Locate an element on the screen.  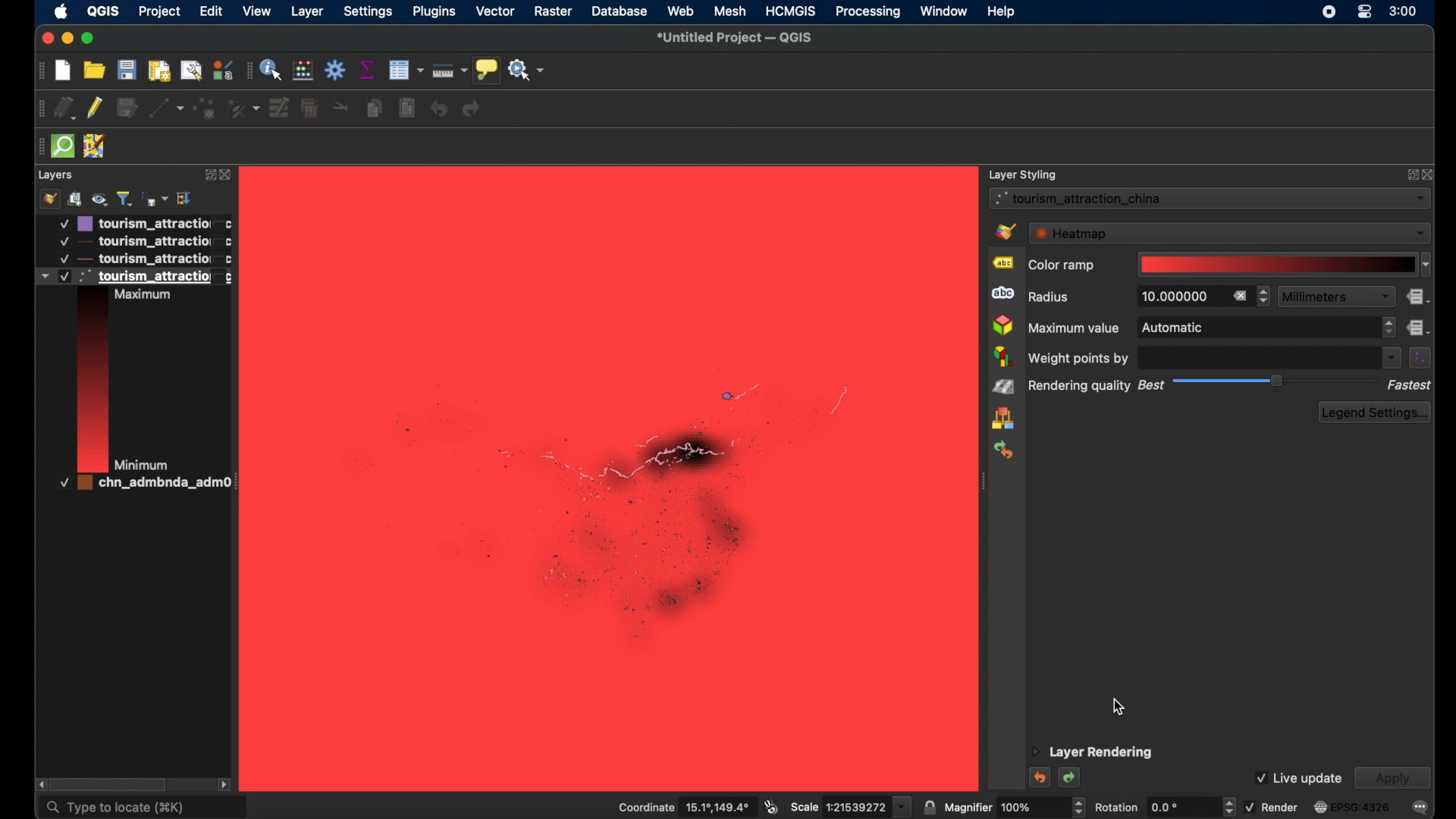
live update checkbox is located at coordinates (1298, 777).